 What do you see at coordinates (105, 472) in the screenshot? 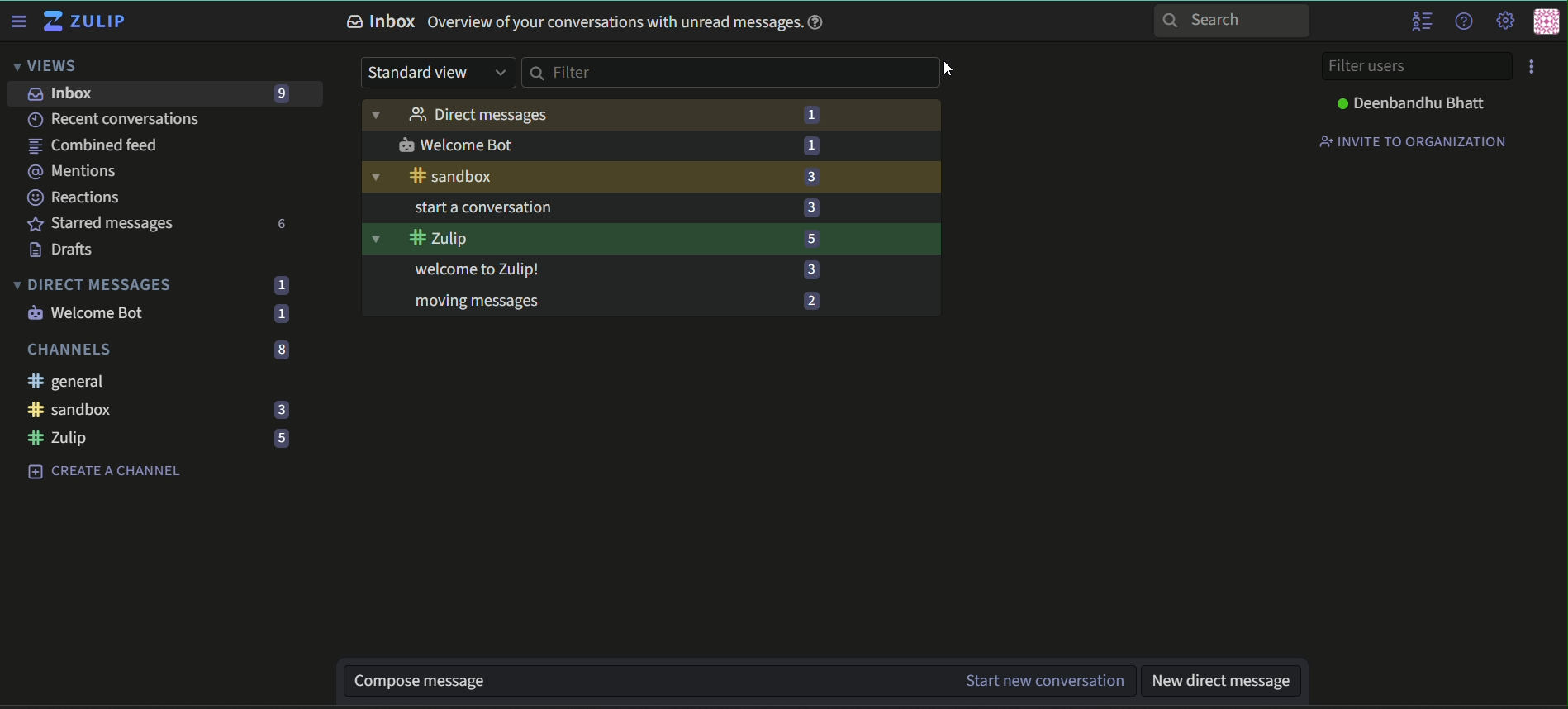
I see `Create a channel` at bounding box center [105, 472].